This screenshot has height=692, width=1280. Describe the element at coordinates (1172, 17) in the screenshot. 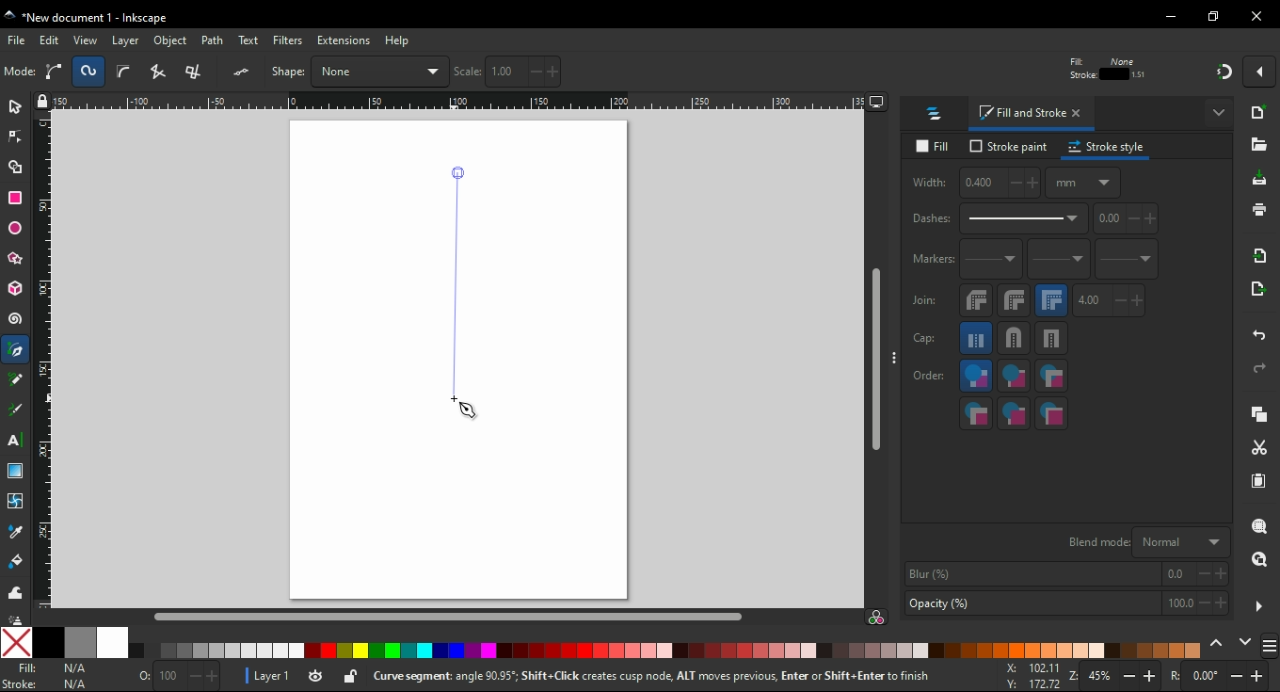

I see `minimize` at that location.